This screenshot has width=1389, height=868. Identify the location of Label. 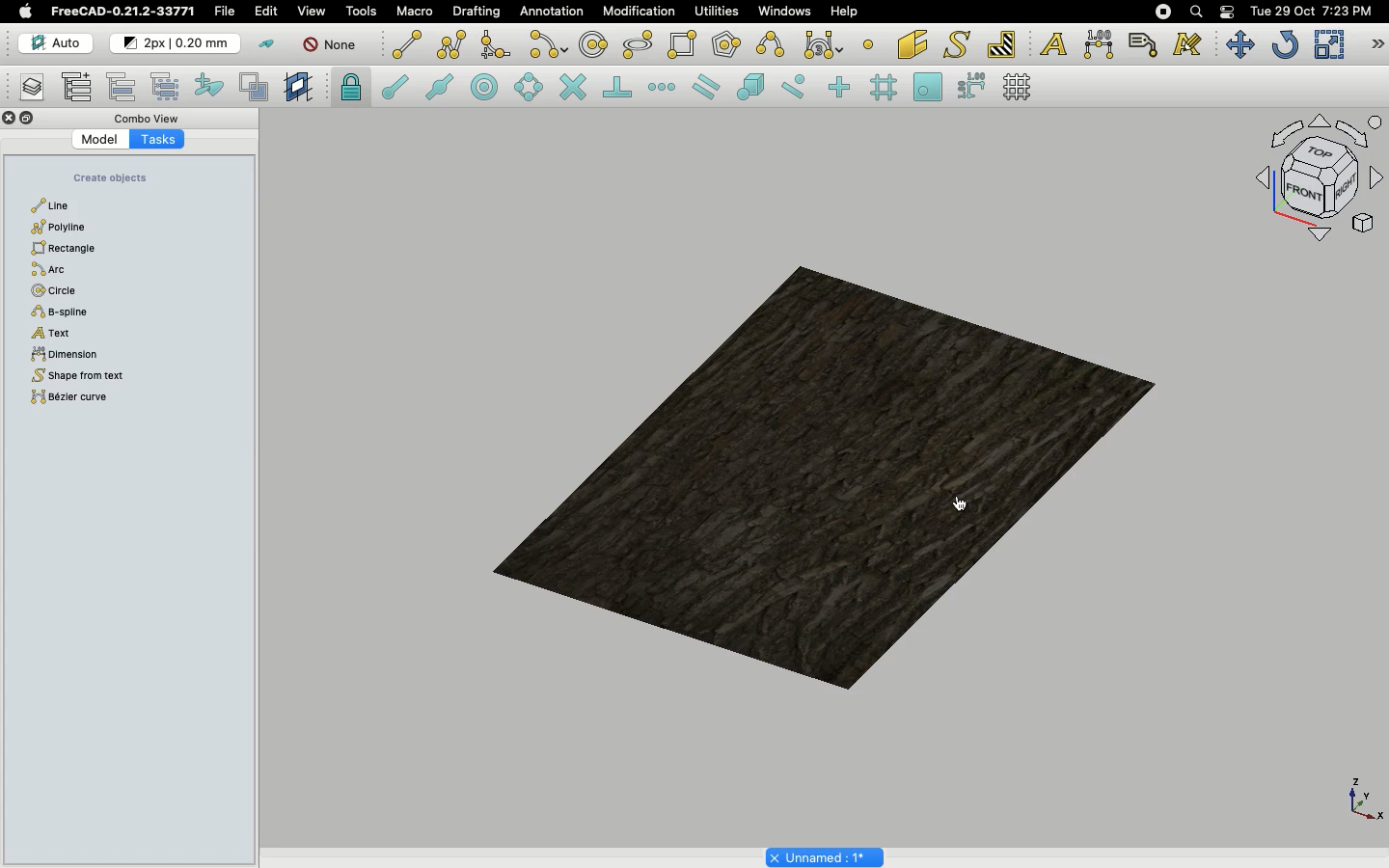
(1144, 42).